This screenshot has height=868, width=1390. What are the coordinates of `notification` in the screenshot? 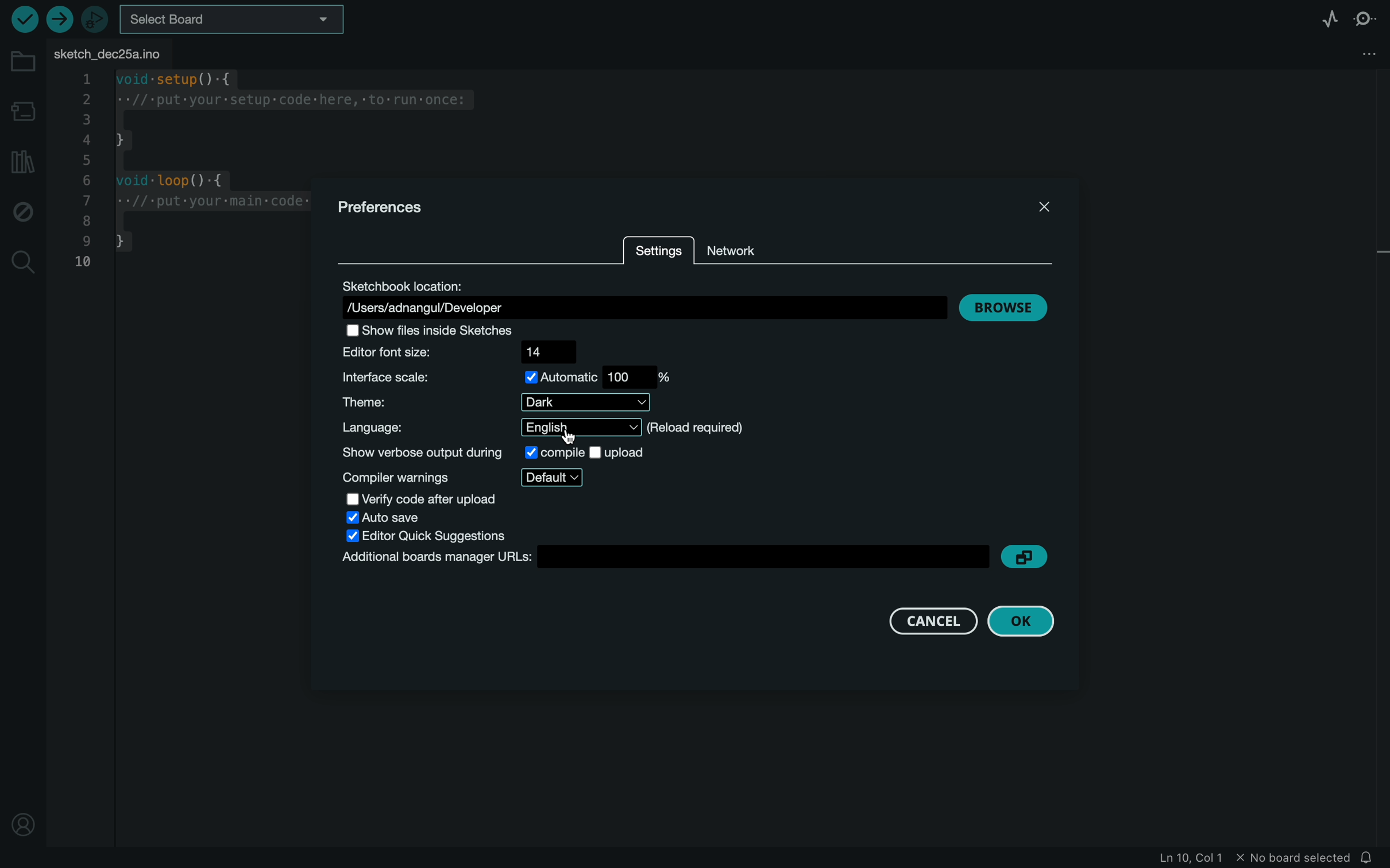 It's located at (1369, 858).